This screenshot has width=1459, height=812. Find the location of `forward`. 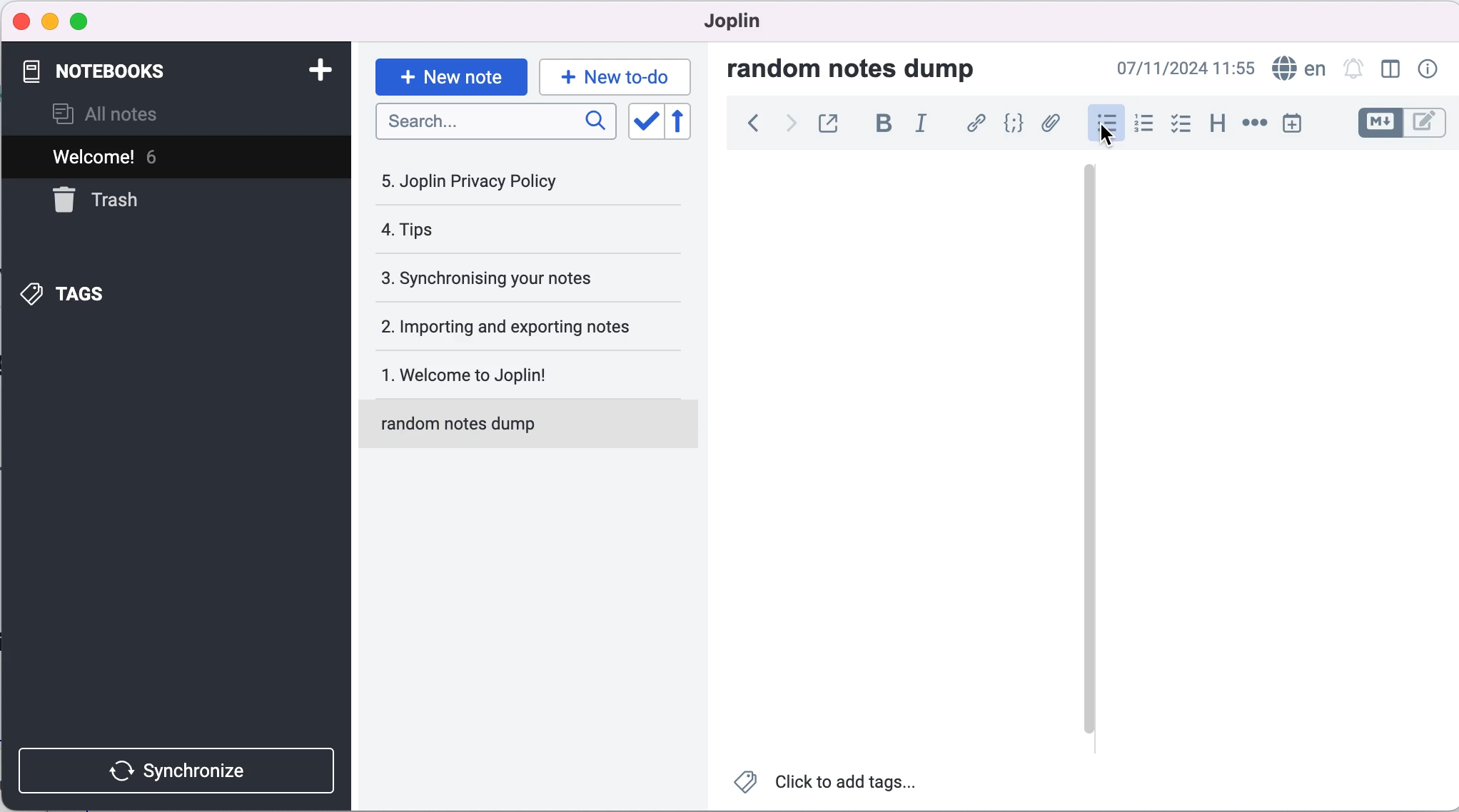

forward is located at coordinates (786, 127).